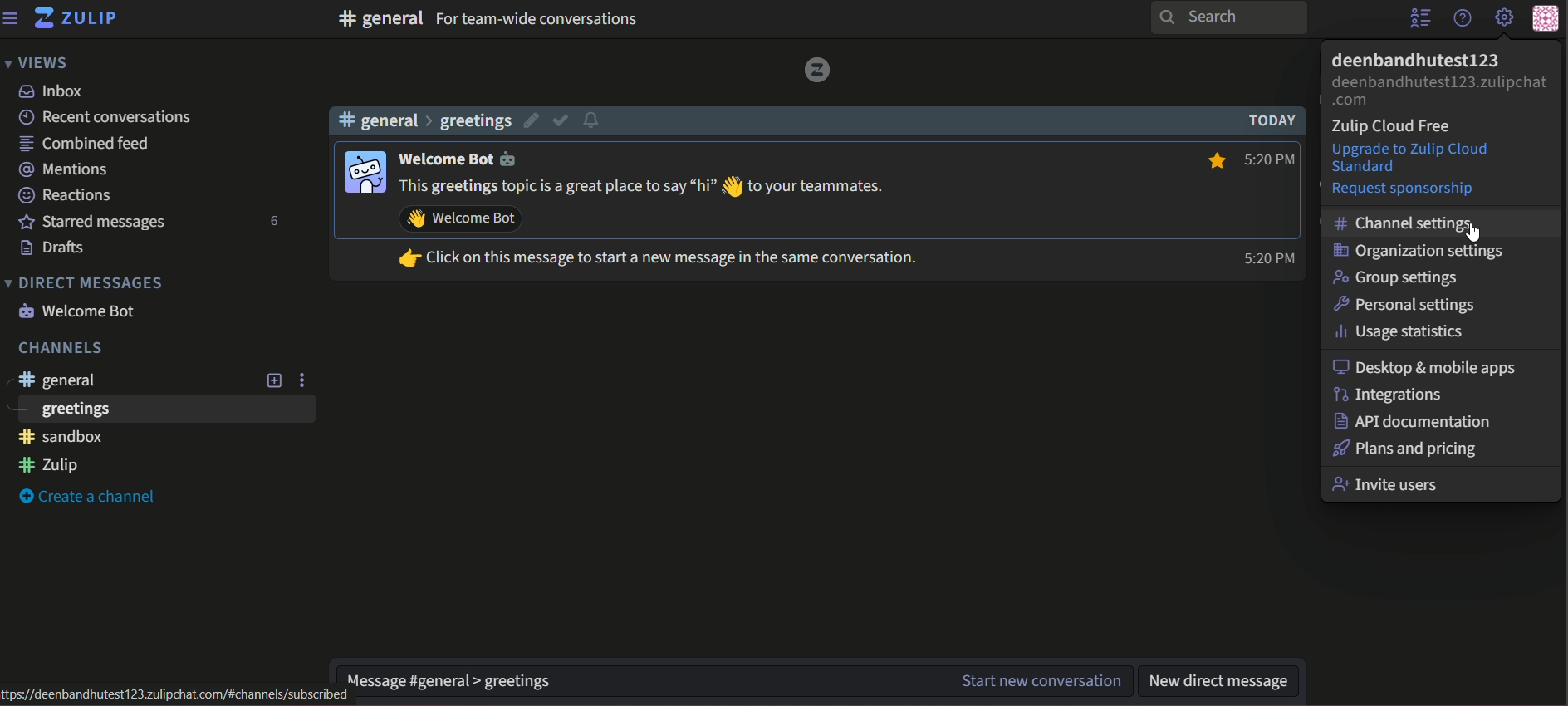 Image resolution: width=1568 pixels, height=706 pixels. Describe the element at coordinates (105, 117) in the screenshot. I see `recent conversations` at that location.